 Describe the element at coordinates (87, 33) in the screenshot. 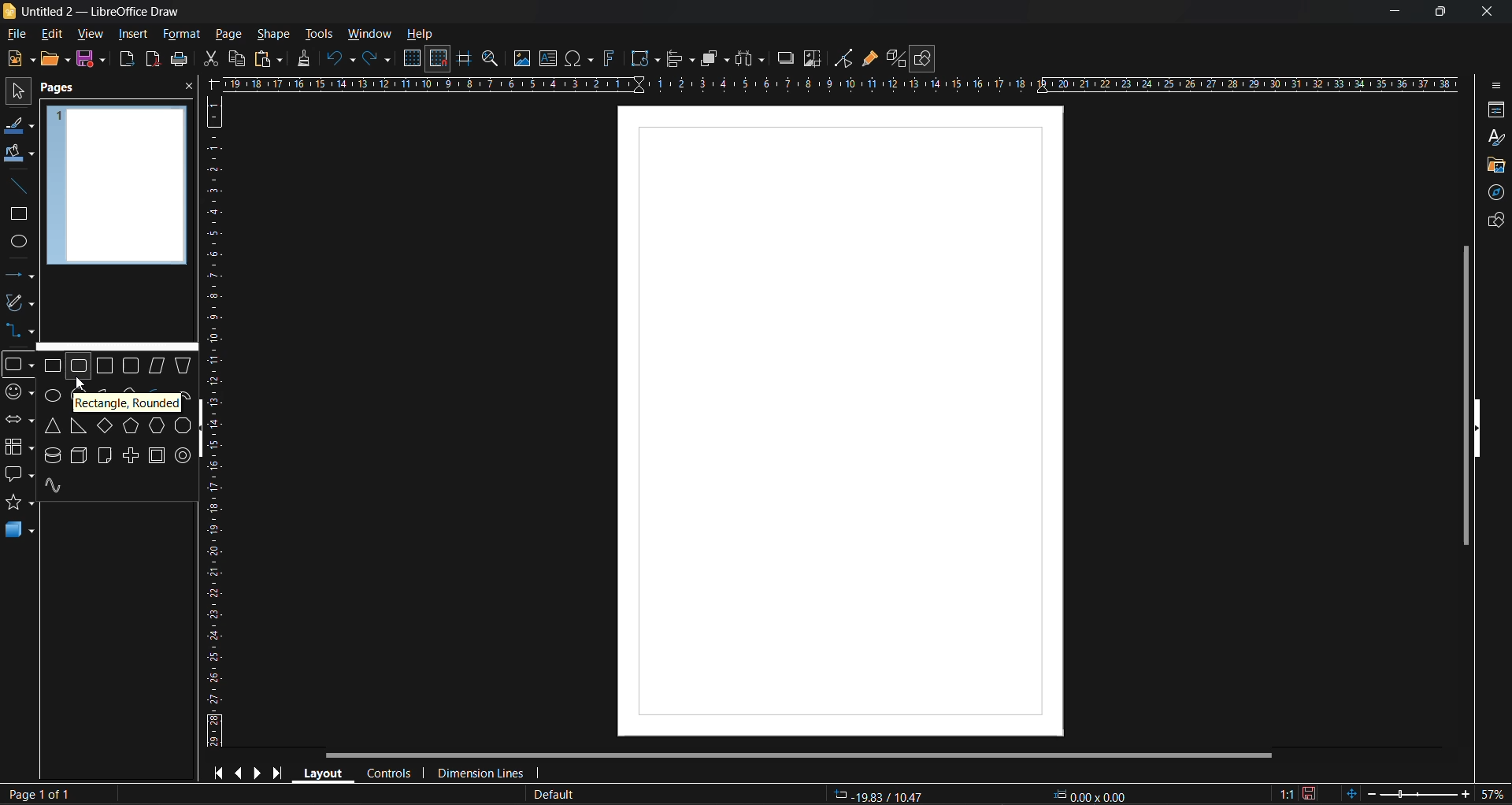

I see `view` at that location.